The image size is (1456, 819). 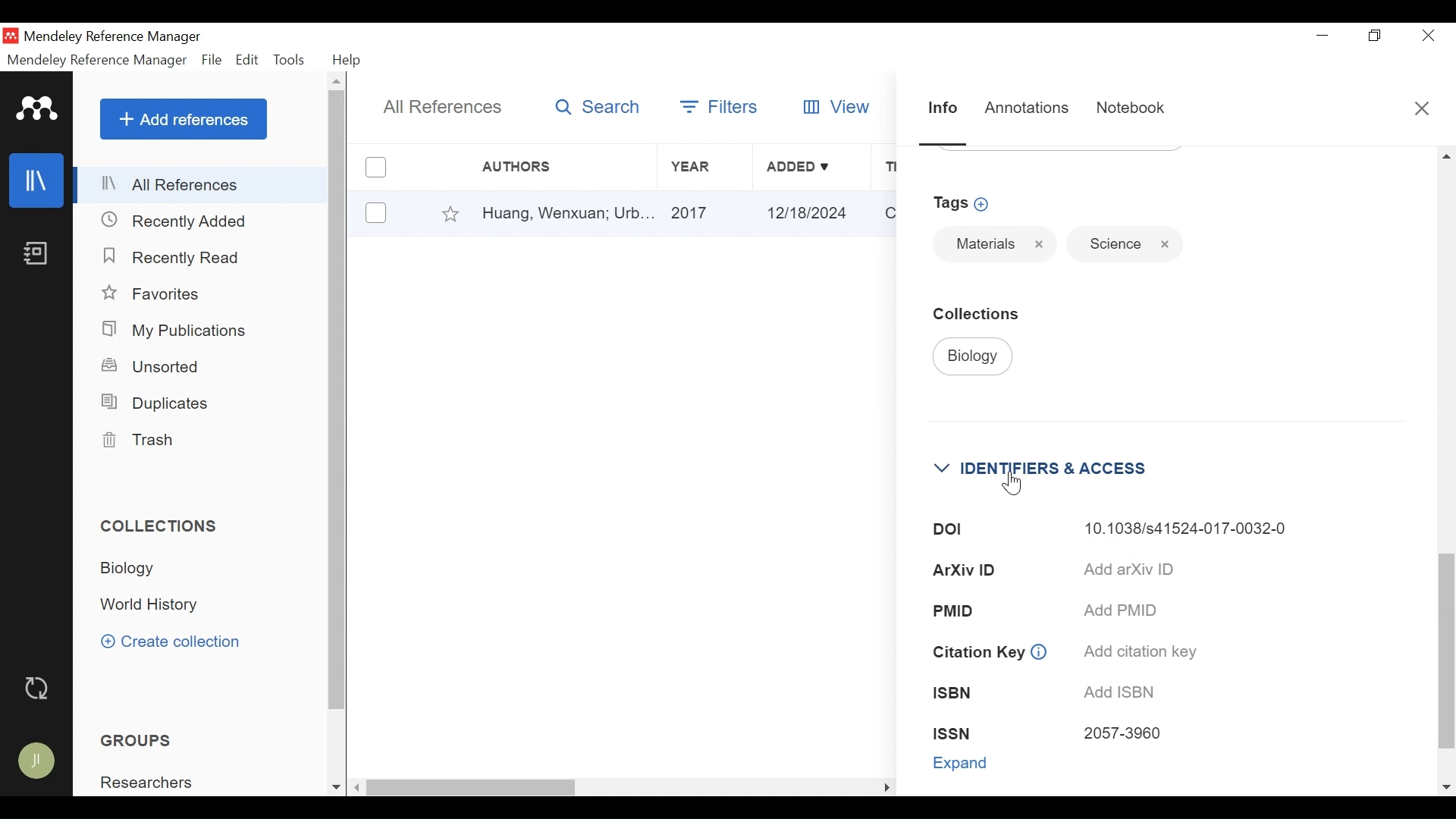 I want to click on 10.1038/s41524-017-0032-0, so click(x=1189, y=529).